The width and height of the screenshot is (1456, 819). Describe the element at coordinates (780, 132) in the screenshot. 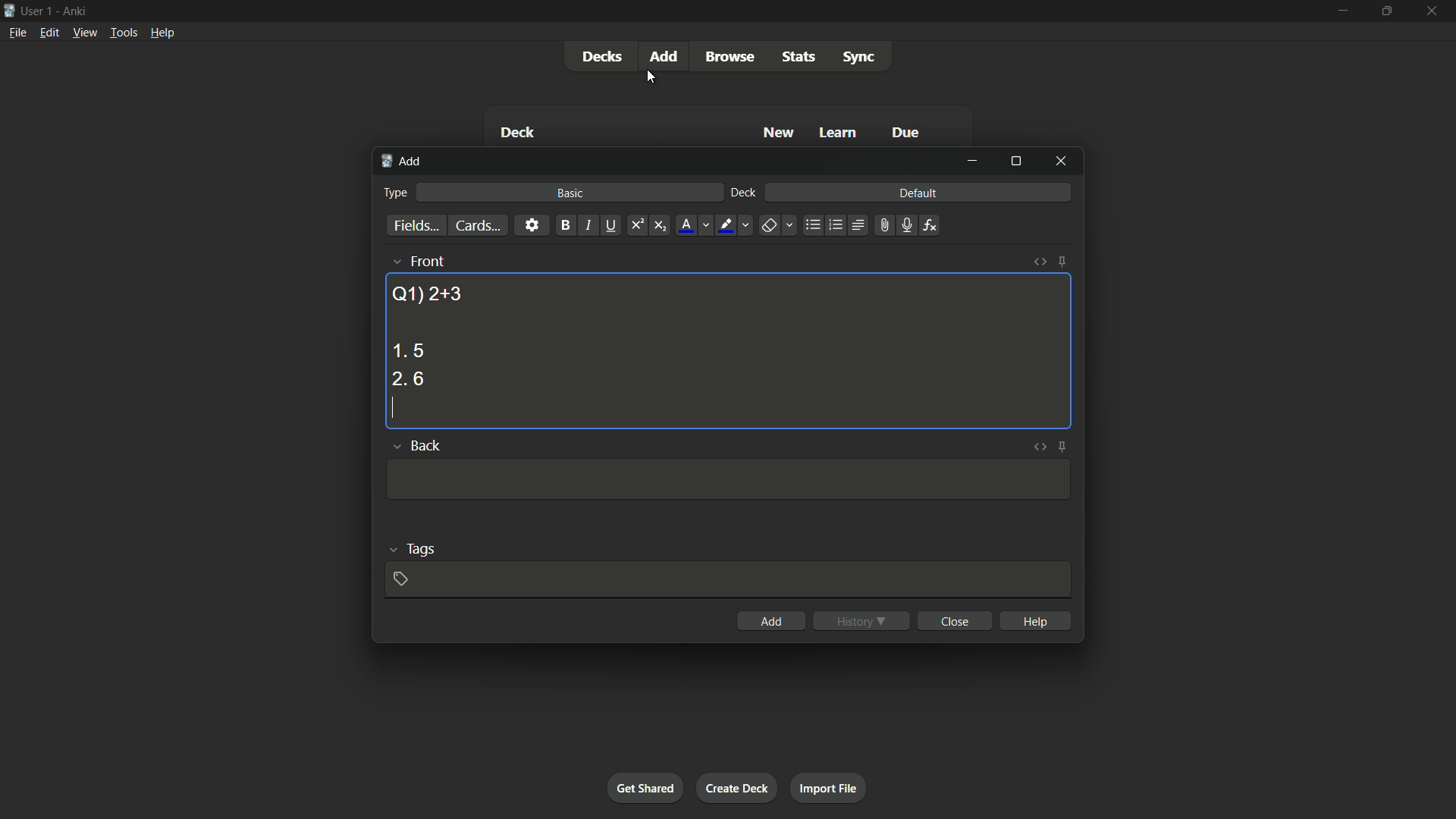

I see `new` at that location.